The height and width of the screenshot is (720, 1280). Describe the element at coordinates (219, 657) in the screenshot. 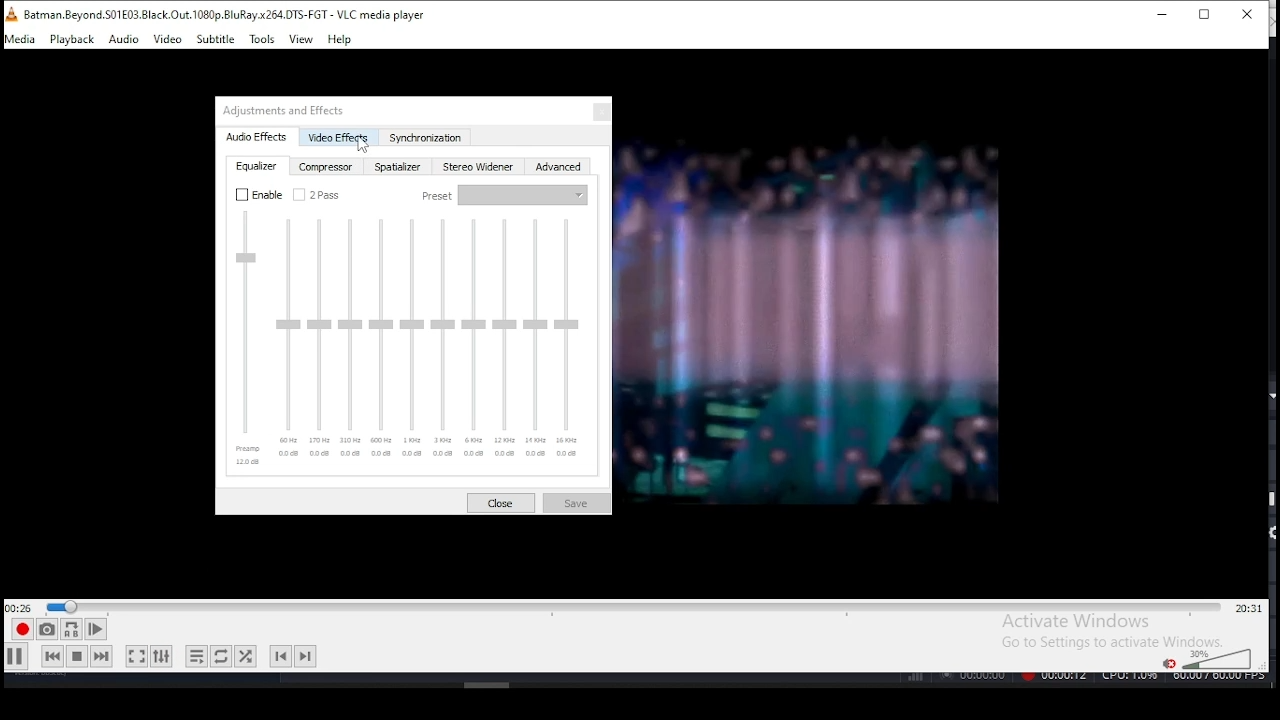

I see `click to toggle between, loop all, loop one, and no loop` at that location.